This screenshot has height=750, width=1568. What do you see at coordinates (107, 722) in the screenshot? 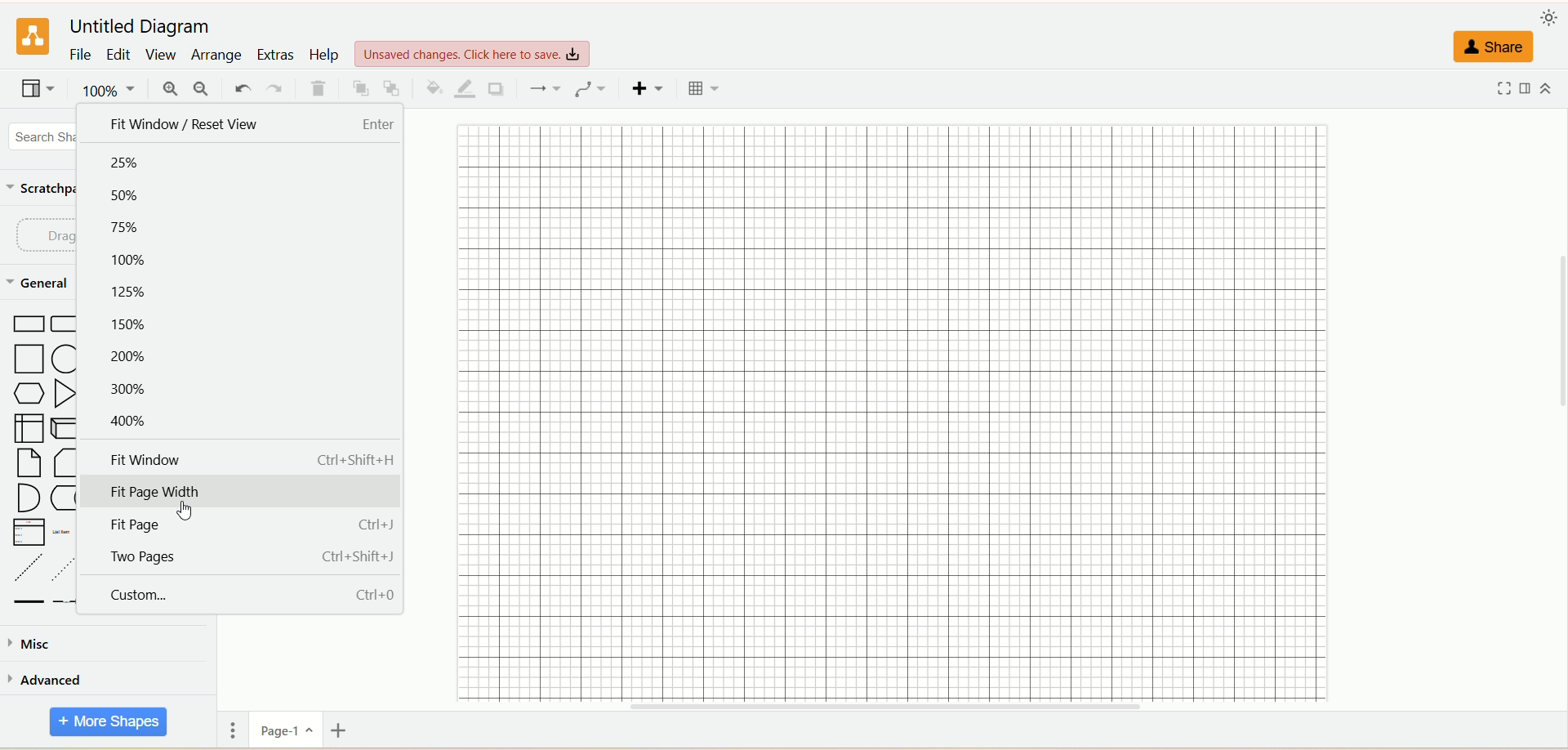
I see `more shapes` at bounding box center [107, 722].